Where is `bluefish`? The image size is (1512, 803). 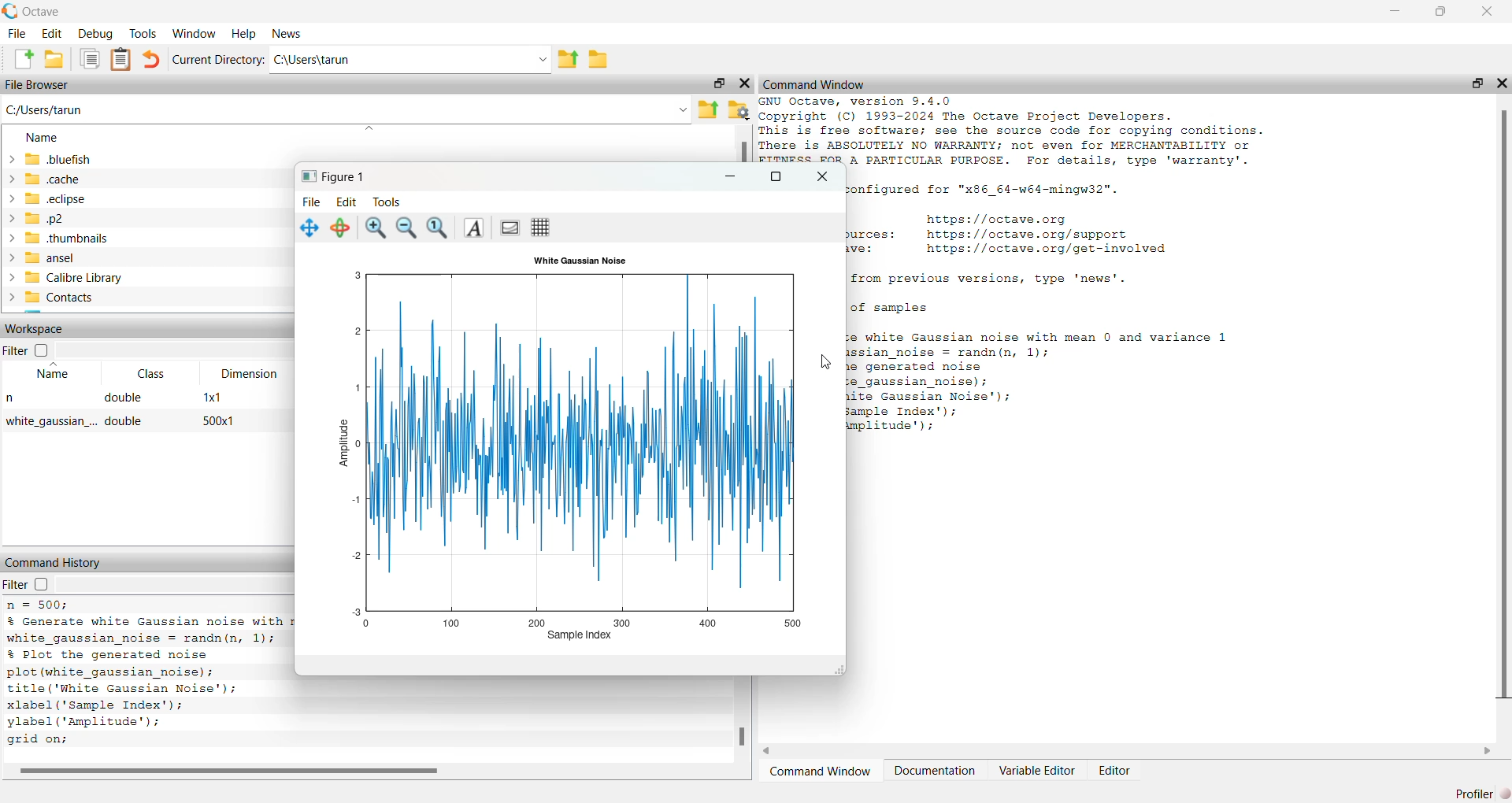
bluefish is located at coordinates (50, 158).